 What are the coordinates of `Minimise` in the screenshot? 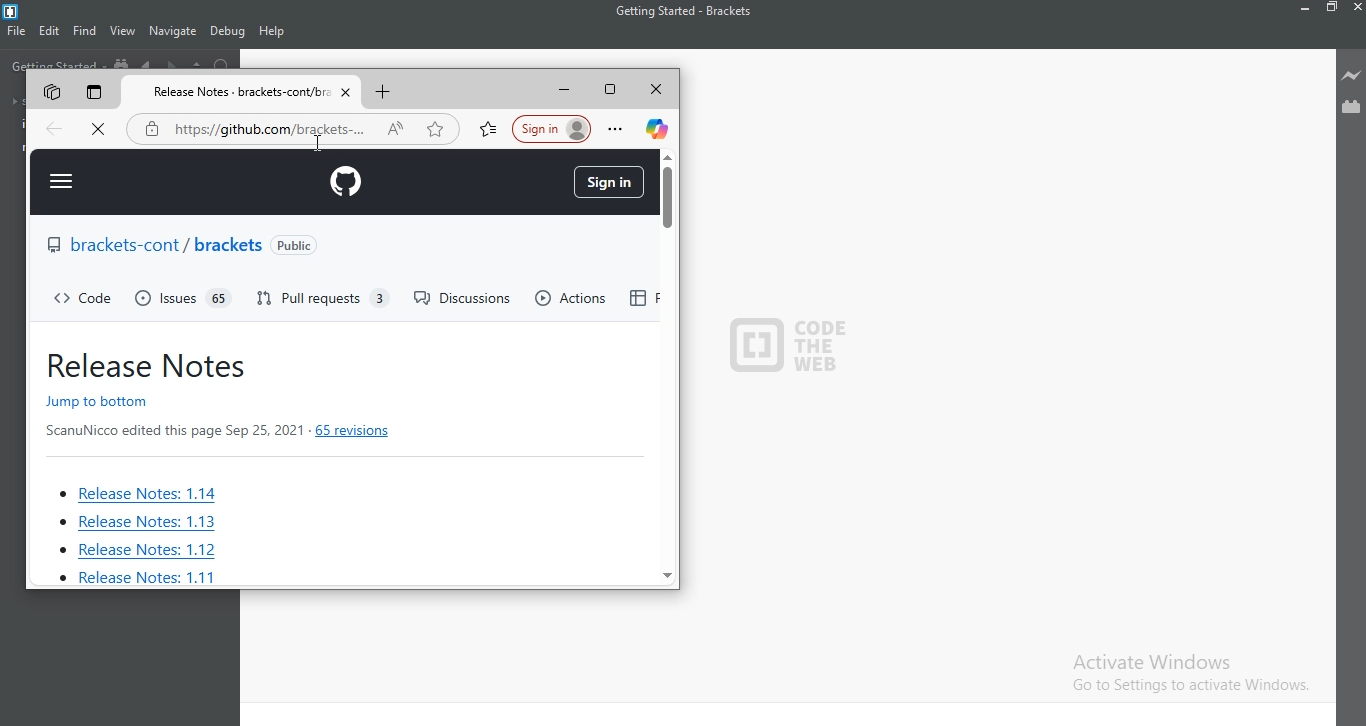 It's located at (1306, 9).